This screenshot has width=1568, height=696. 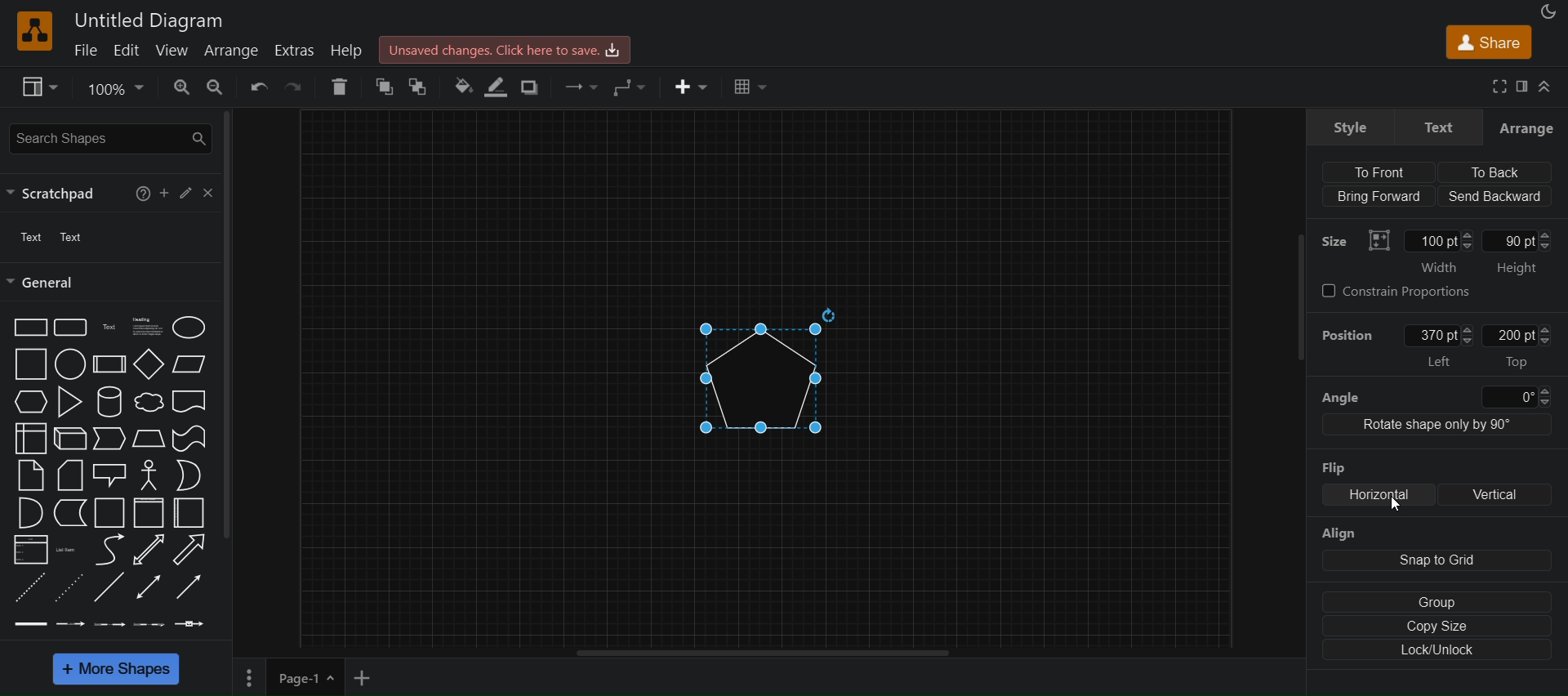 I want to click on search shapes, so click(x=111, y=139).